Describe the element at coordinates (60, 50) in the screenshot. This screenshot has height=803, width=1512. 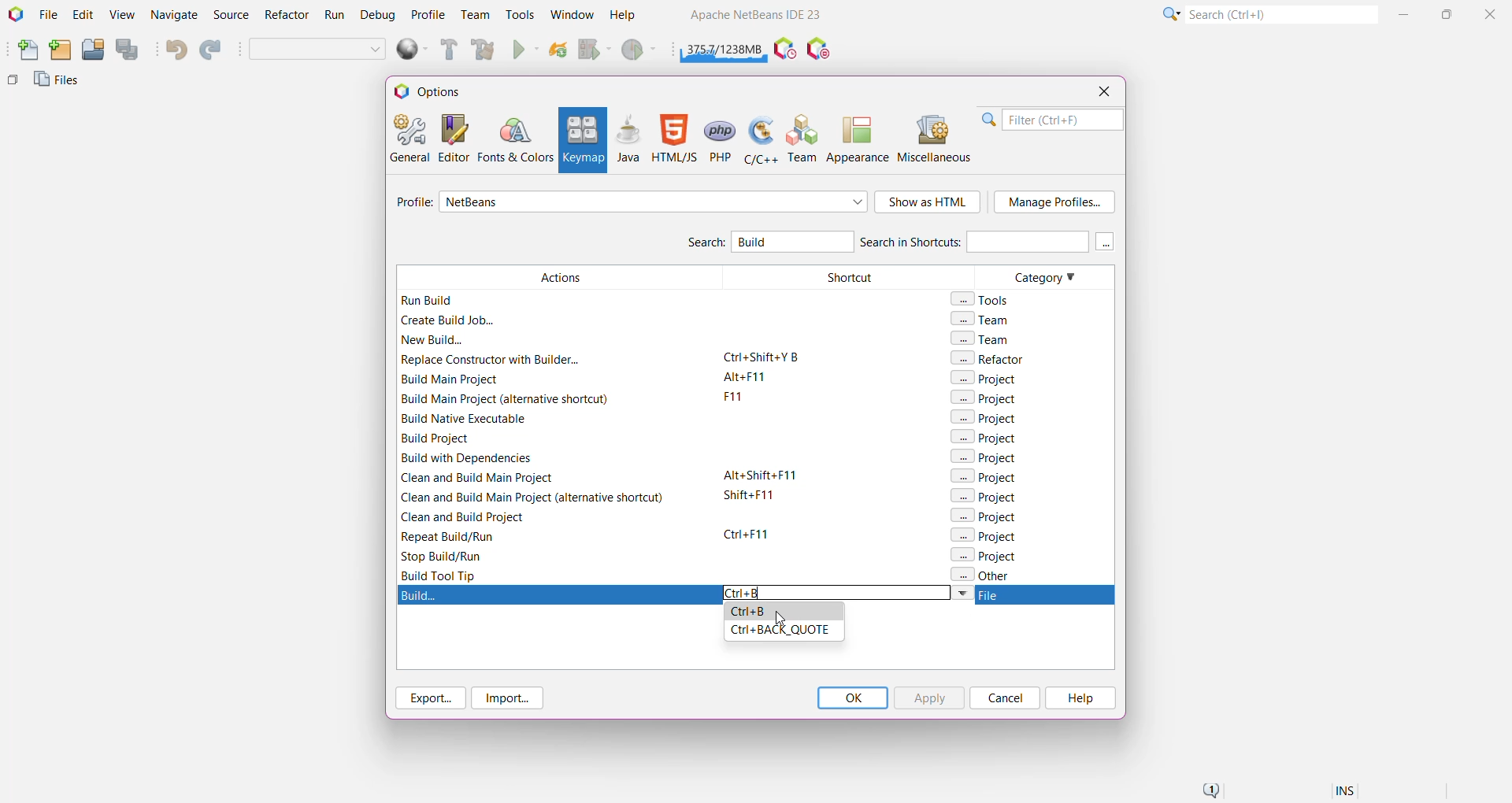
I see `New Project` at that location.